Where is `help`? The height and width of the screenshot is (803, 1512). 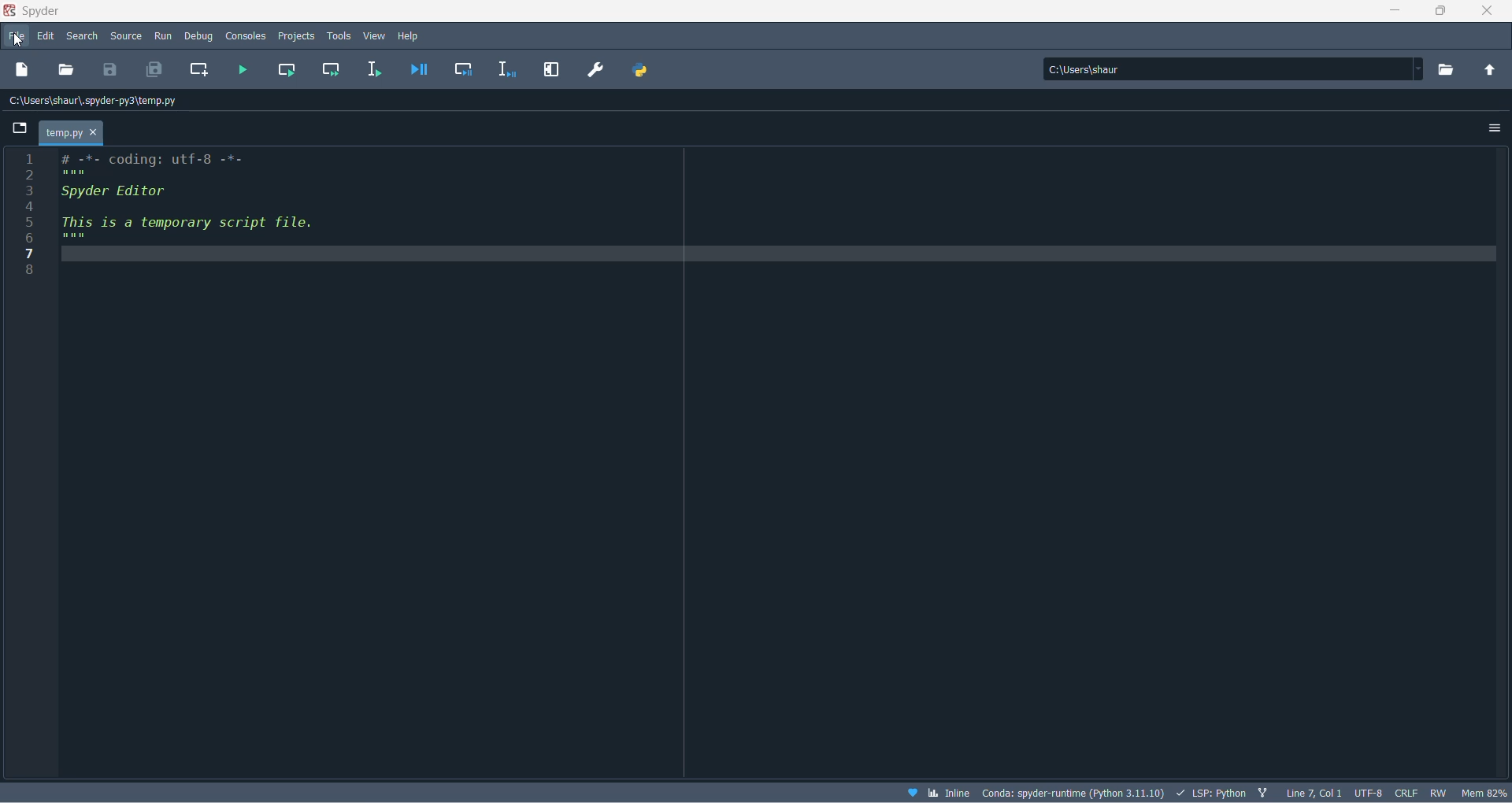 help is located at coordinates (412, 35).